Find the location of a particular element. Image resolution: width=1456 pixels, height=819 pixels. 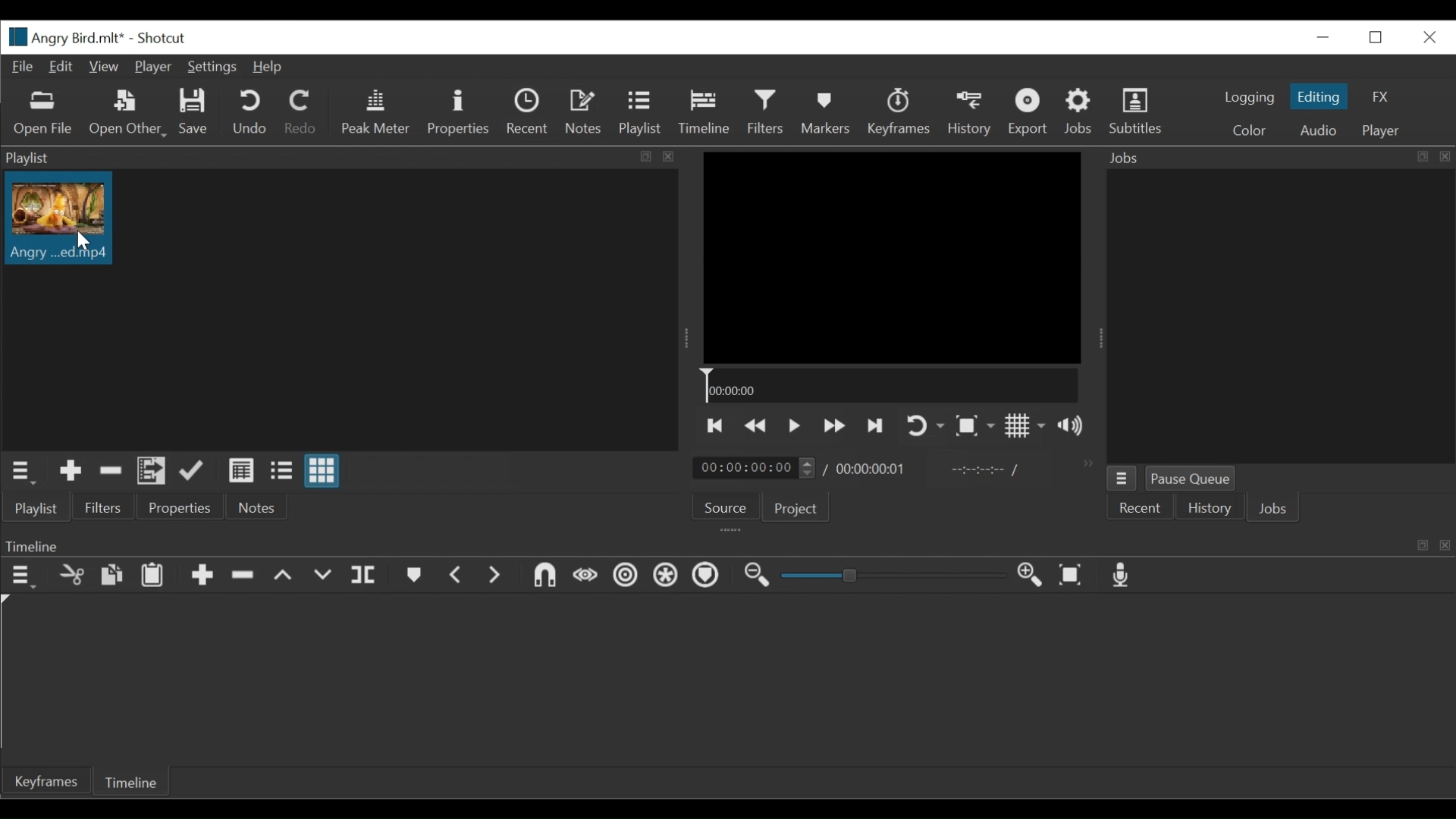

Keyframes is located at coordinates (900, 112).